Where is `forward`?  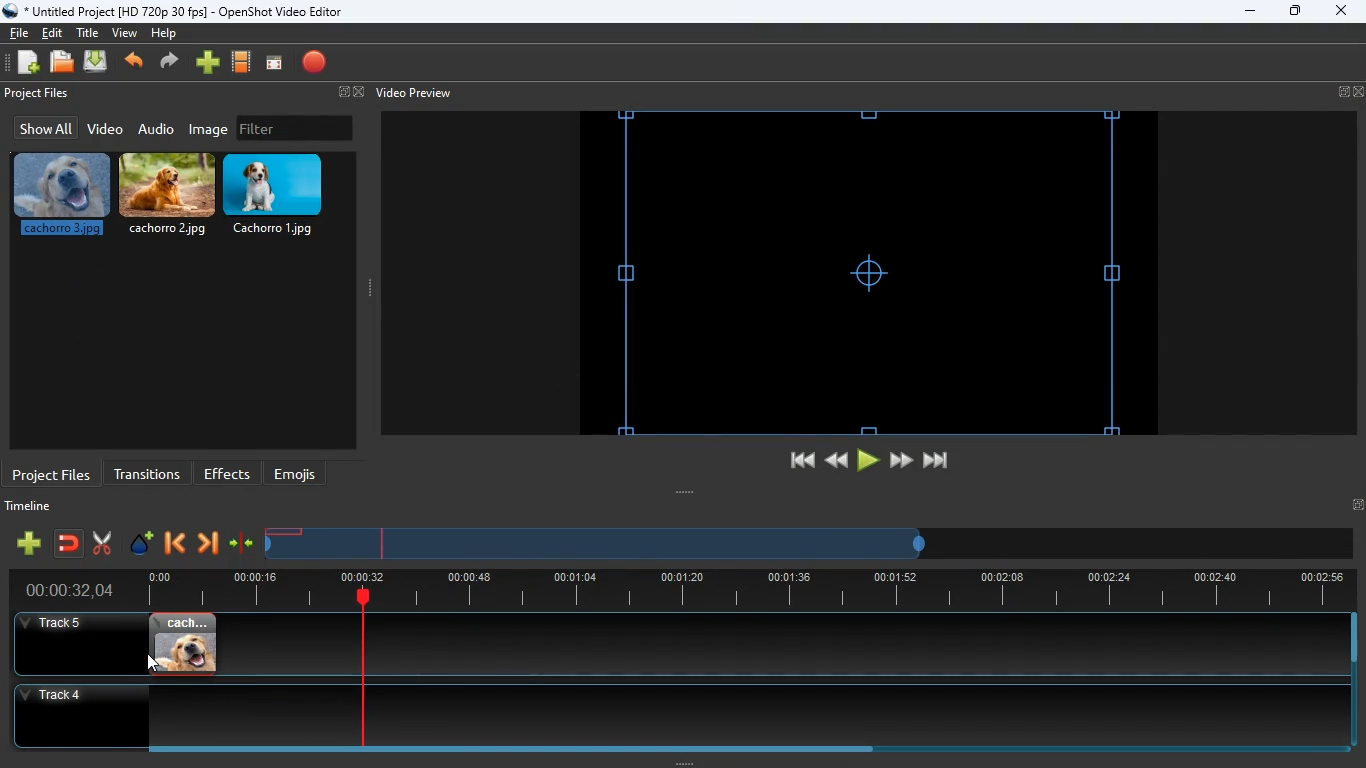
forward is located at coordinates (172, 63).